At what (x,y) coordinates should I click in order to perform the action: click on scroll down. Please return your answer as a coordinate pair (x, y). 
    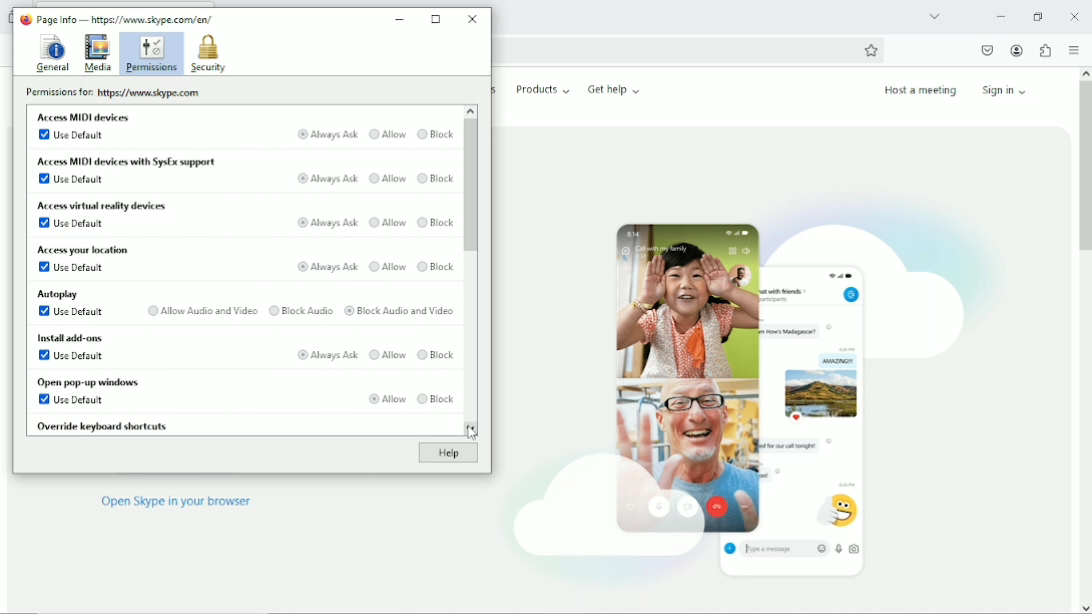
    Looking at the image, I should click on (1084, 605).